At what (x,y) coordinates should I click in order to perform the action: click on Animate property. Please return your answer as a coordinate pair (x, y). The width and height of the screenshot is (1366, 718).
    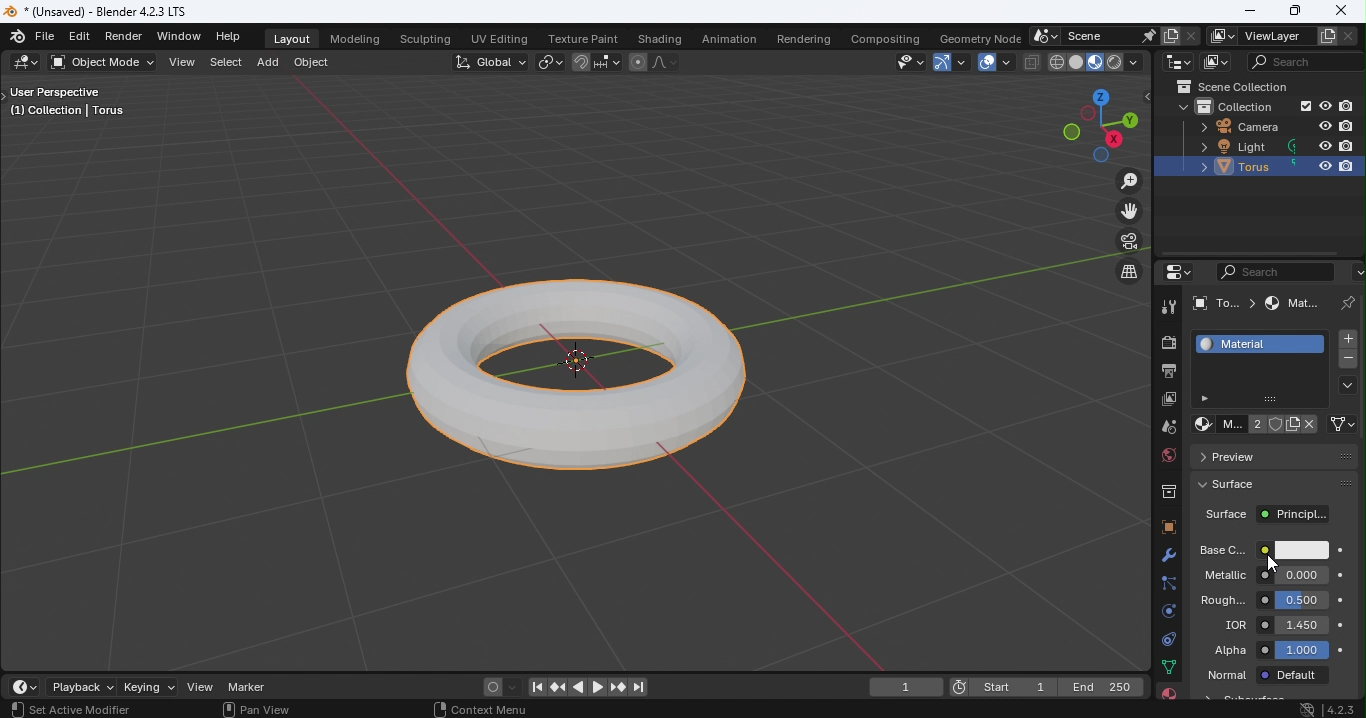
    Looking at the image, I should click on (1339, 601).